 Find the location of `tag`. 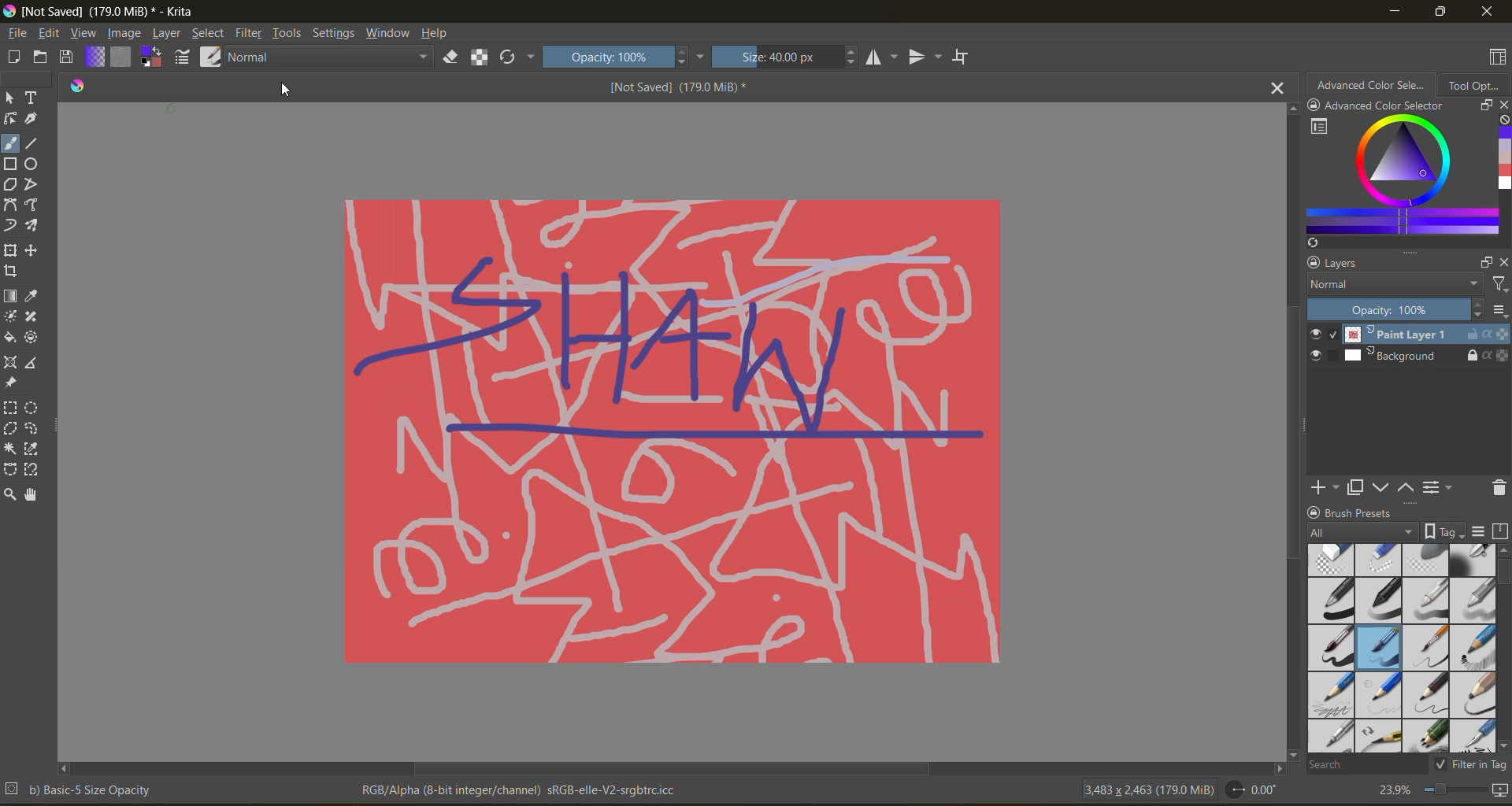

tag is located at coordinates (1363, 533).